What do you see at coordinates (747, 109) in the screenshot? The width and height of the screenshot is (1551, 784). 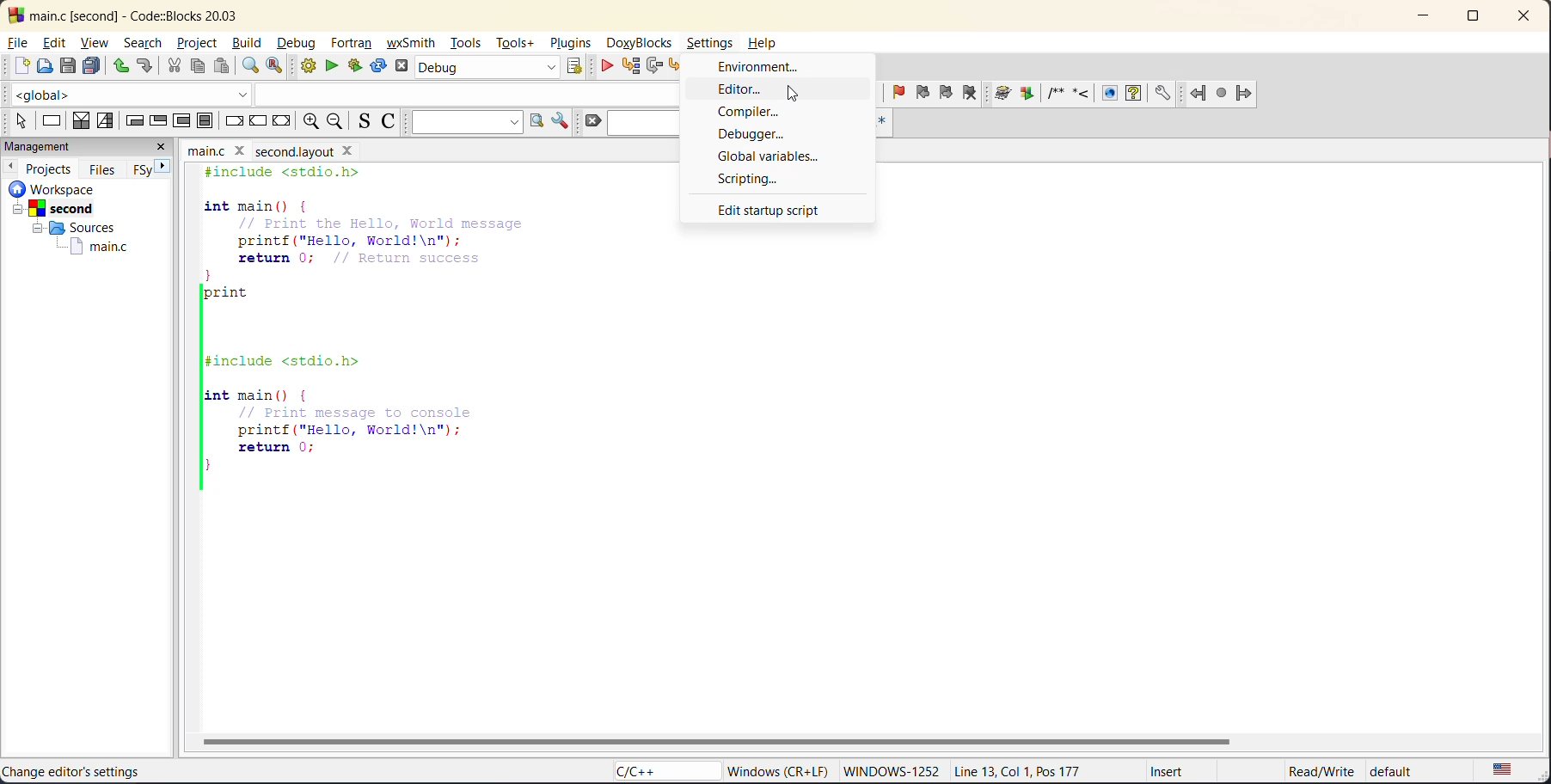 I see `compiler` at bounding box center [747, 109].